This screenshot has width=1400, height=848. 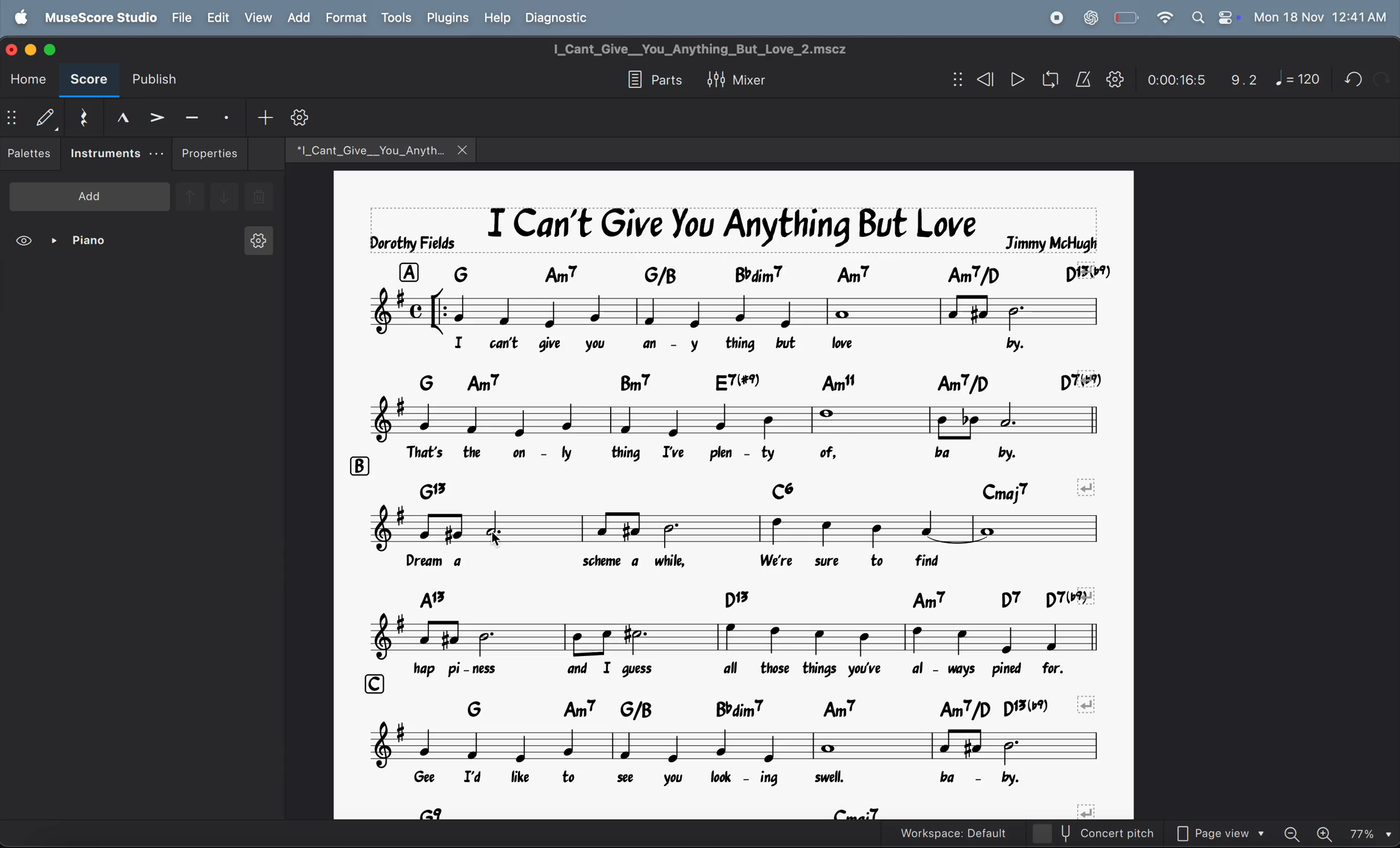 I want to click on lyrics, so click(x=706, y=563).